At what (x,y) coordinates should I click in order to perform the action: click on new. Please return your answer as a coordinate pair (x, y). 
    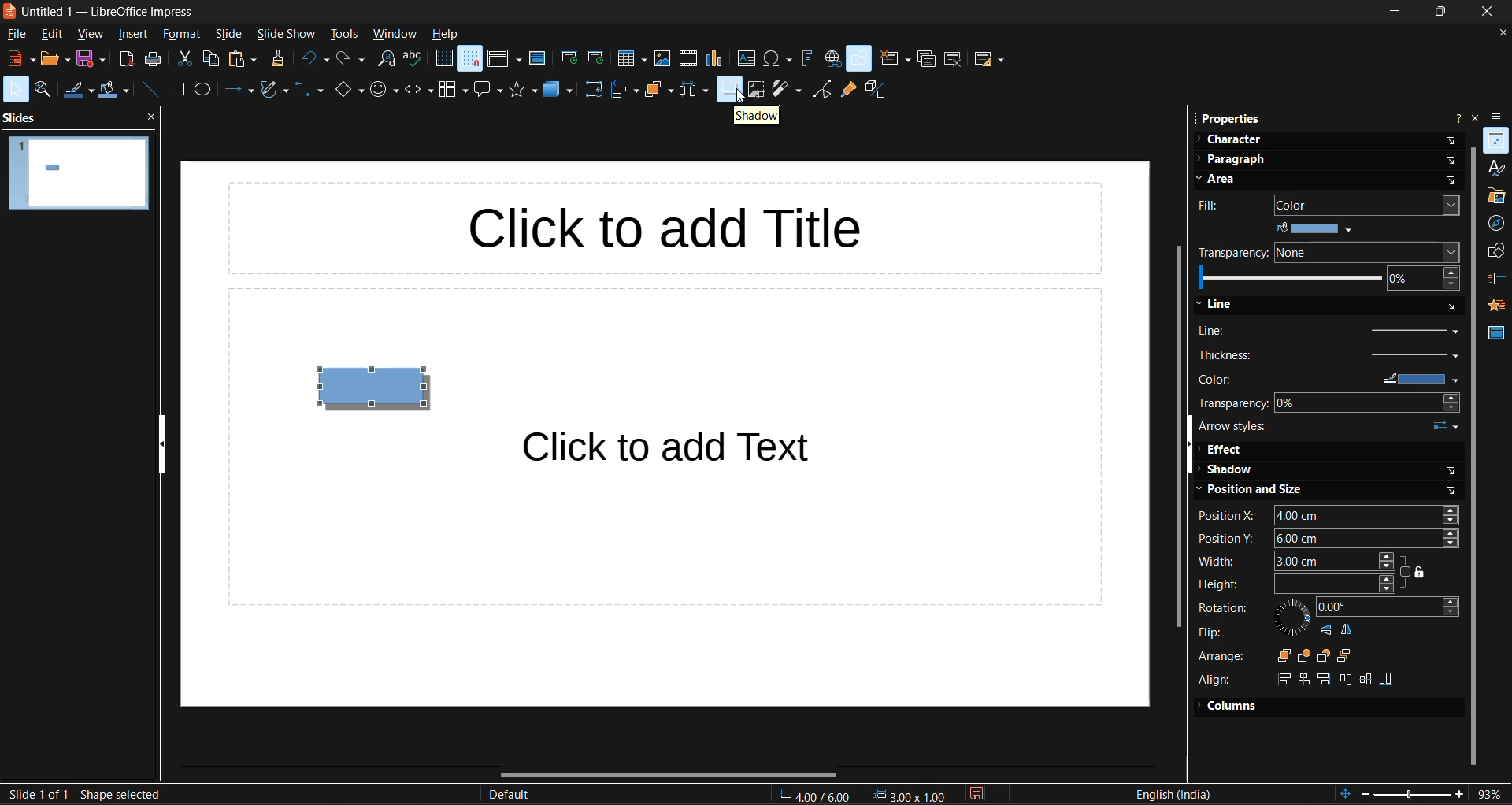
    Looking at the image, I should click on (19, 59).